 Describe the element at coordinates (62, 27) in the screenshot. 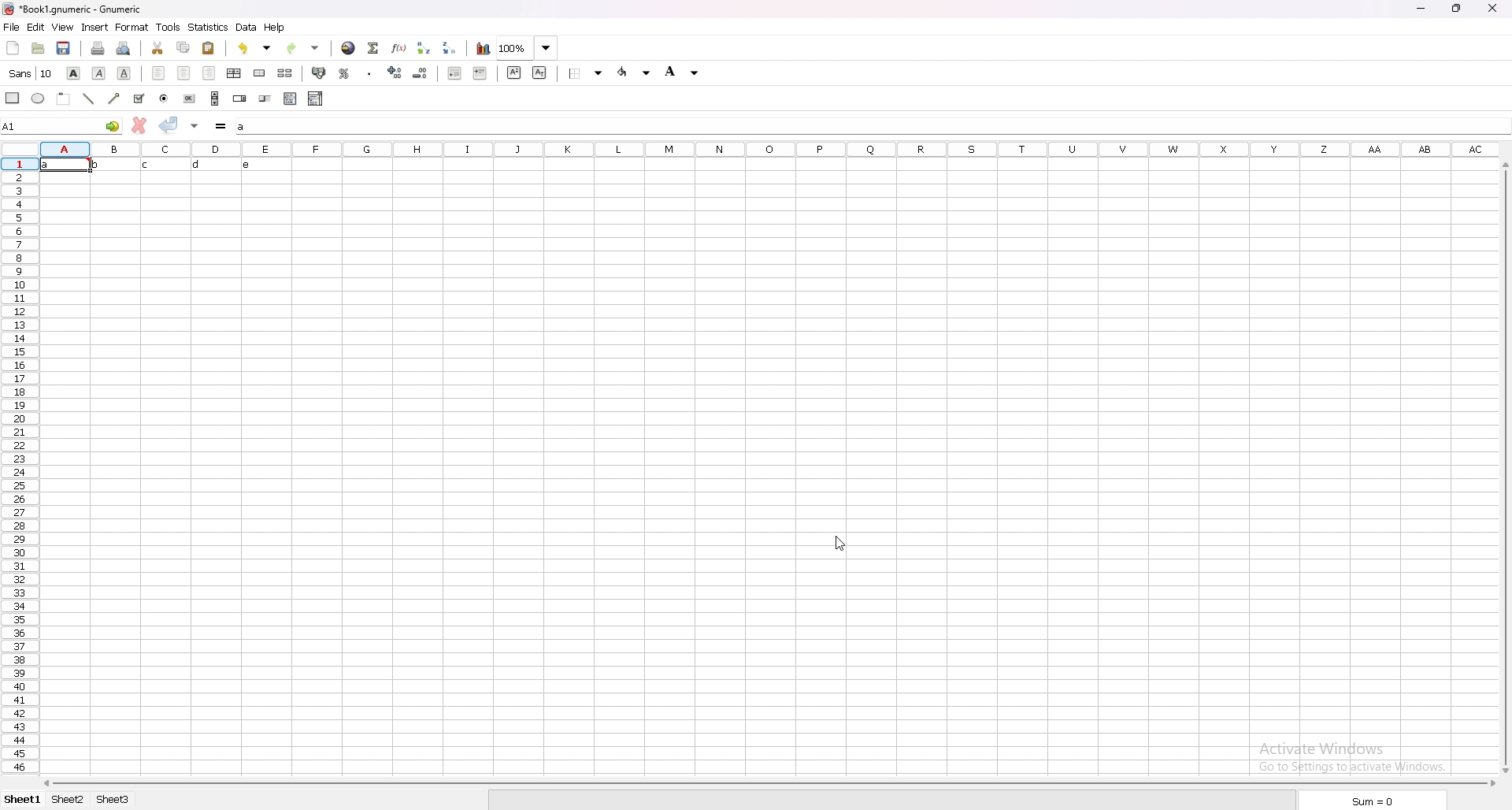

I see `view` at that location.